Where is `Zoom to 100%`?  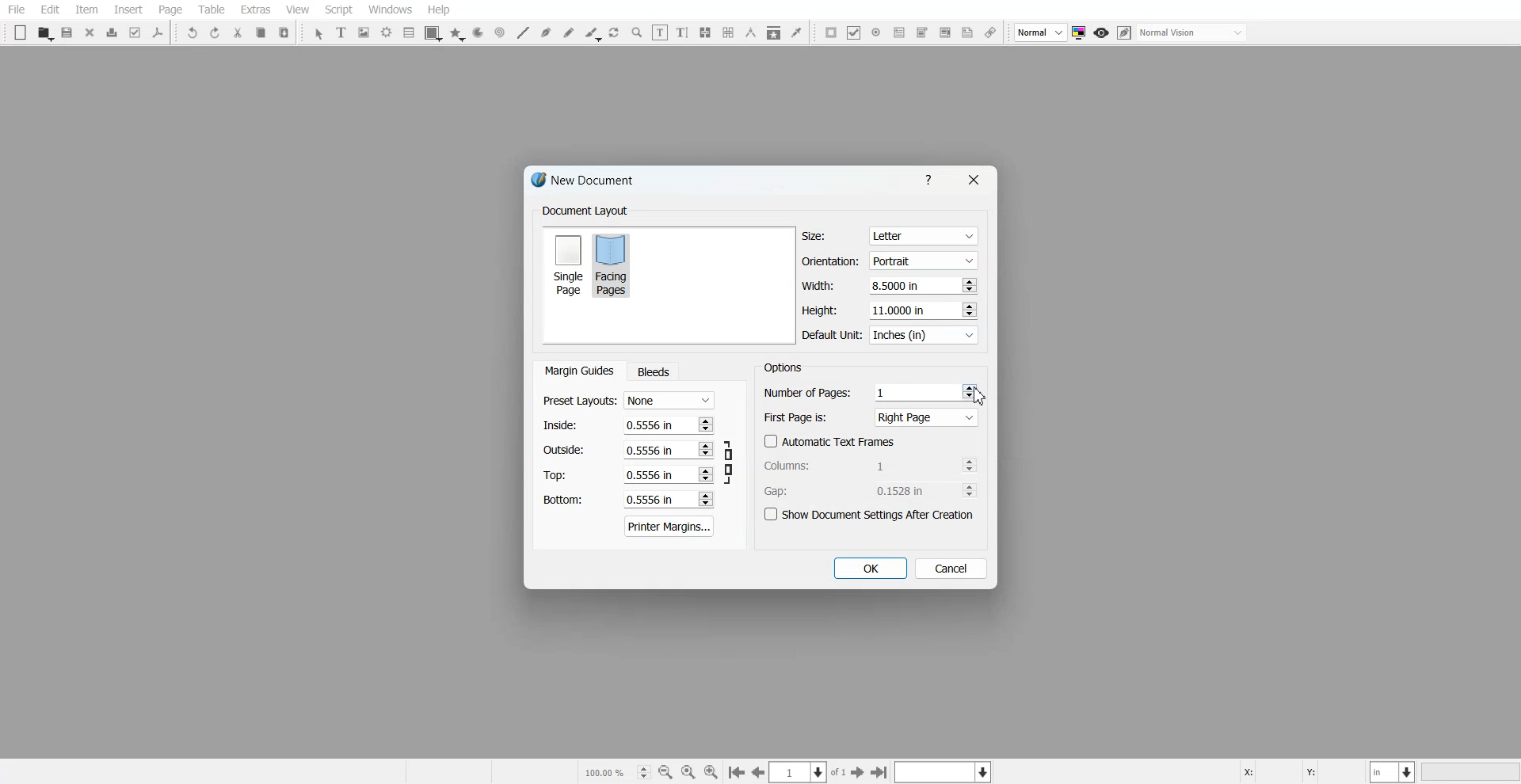
Zoom to 100% is located at coordinates (688, 771).